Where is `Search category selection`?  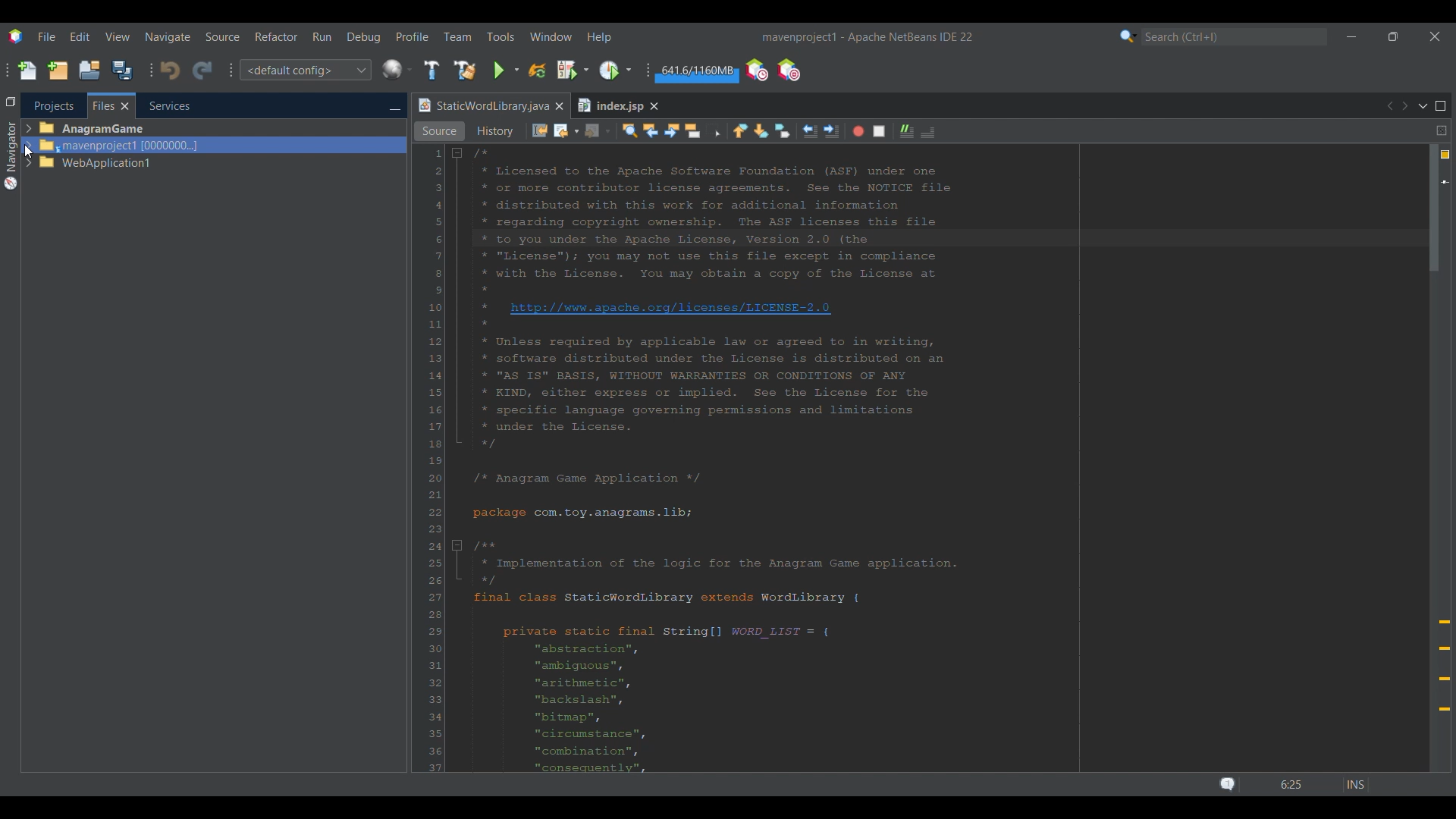
Search category selection is located at coordinates (1128, 36).